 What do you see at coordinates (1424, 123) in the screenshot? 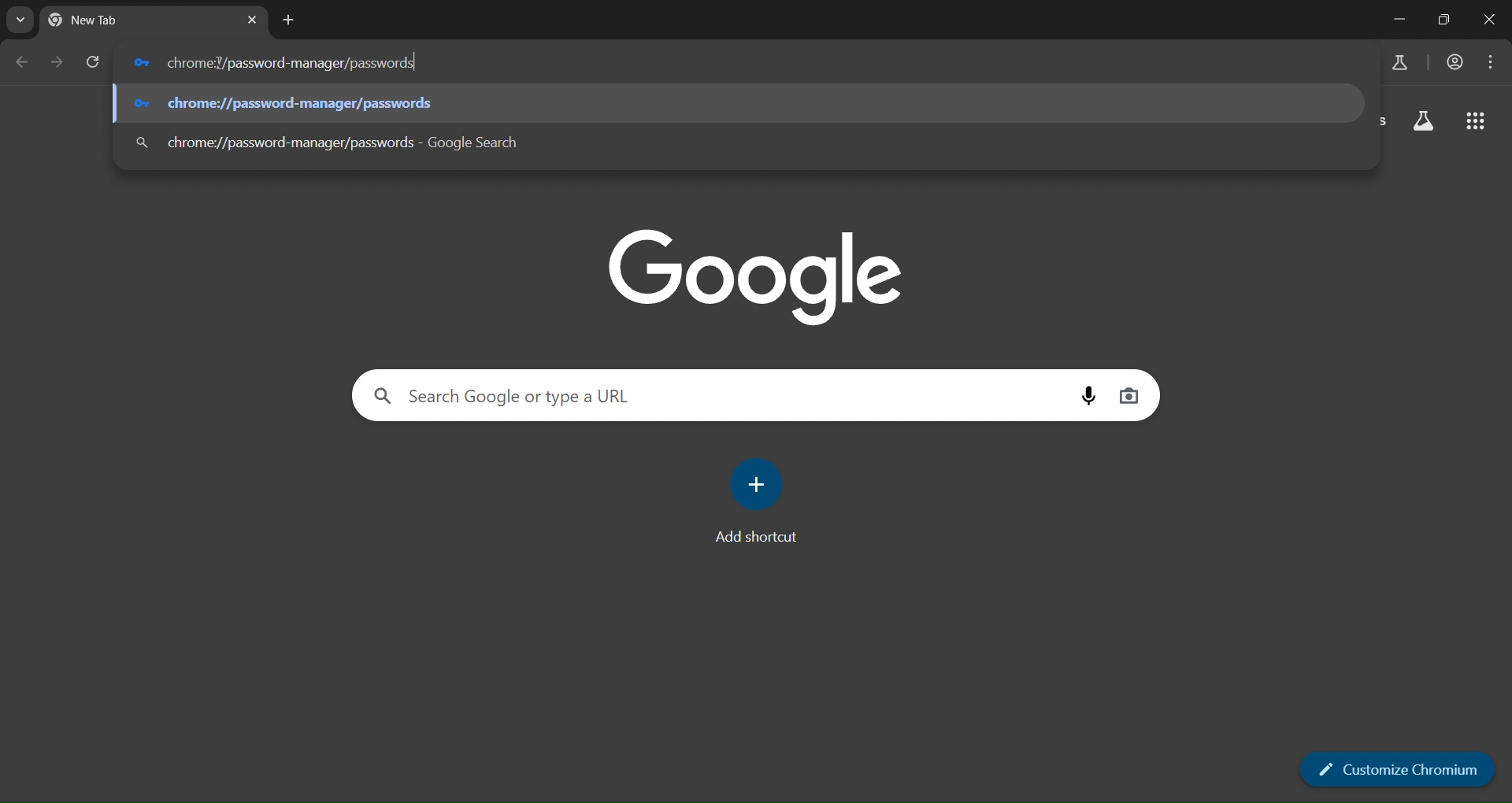
I see `search labs` at bounding box center [1424, 123].